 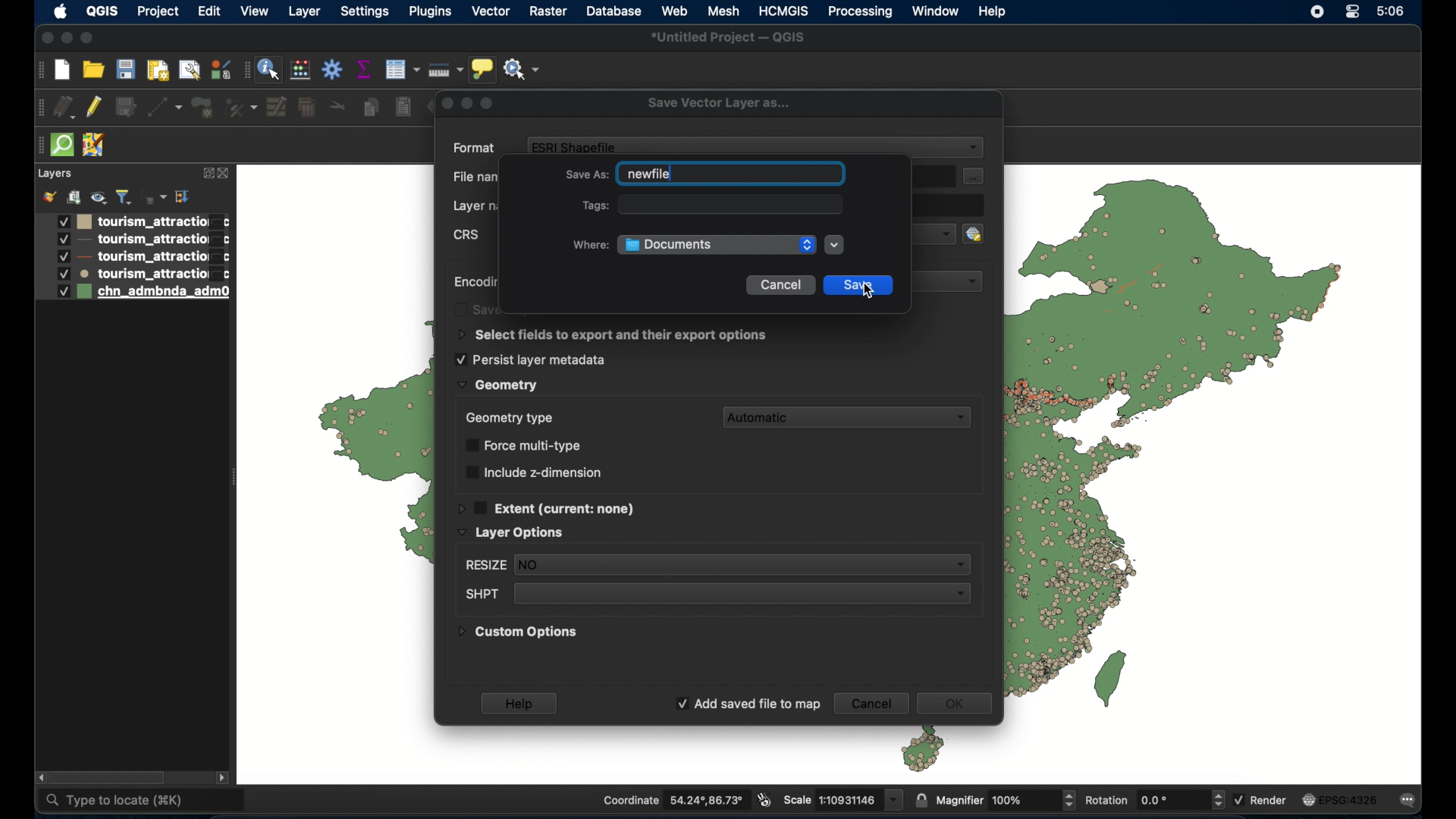 I want to click on magnifier, so click(x=1005, y=799).